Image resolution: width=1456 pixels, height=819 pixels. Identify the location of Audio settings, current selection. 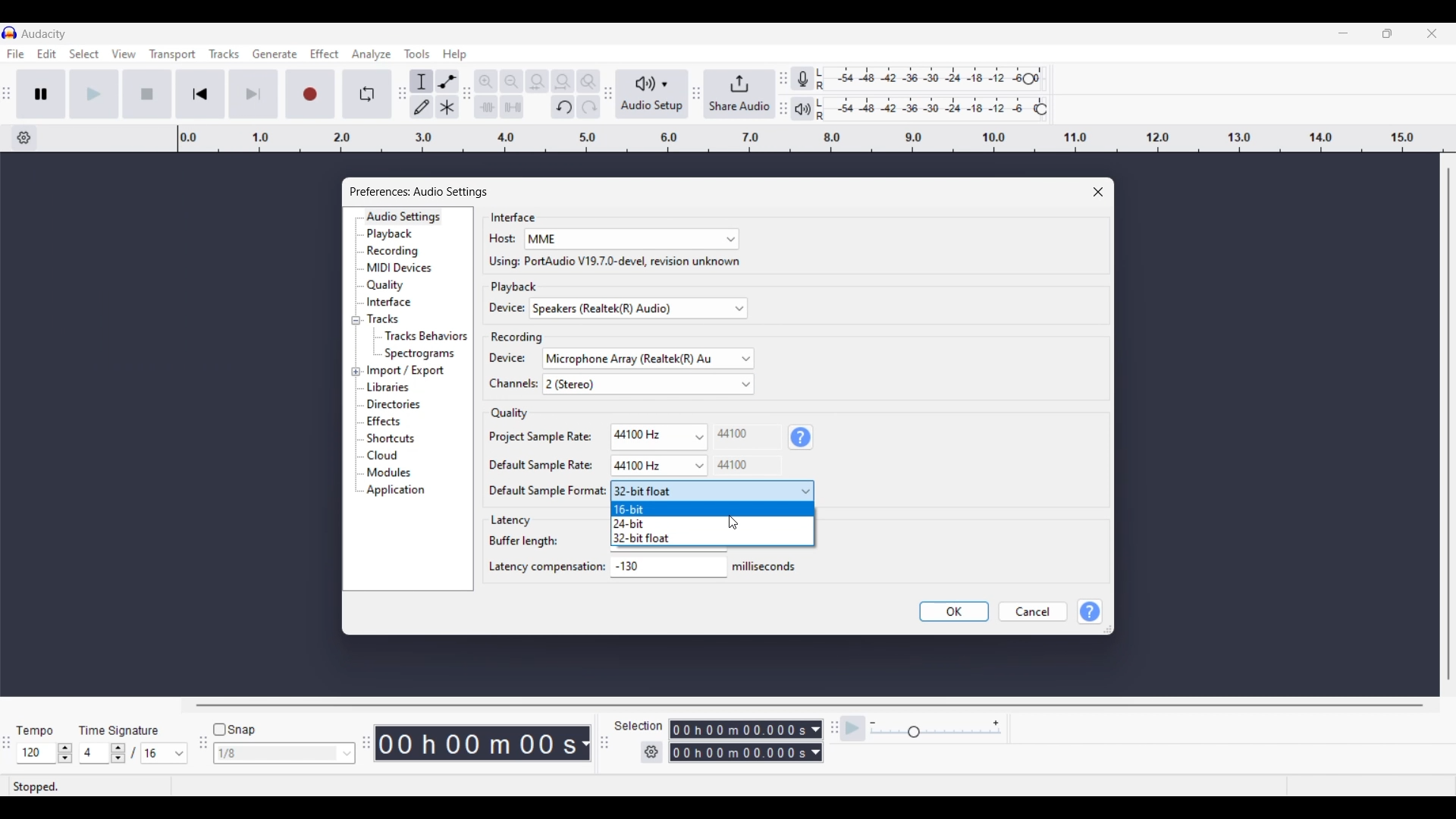
(403, 216).